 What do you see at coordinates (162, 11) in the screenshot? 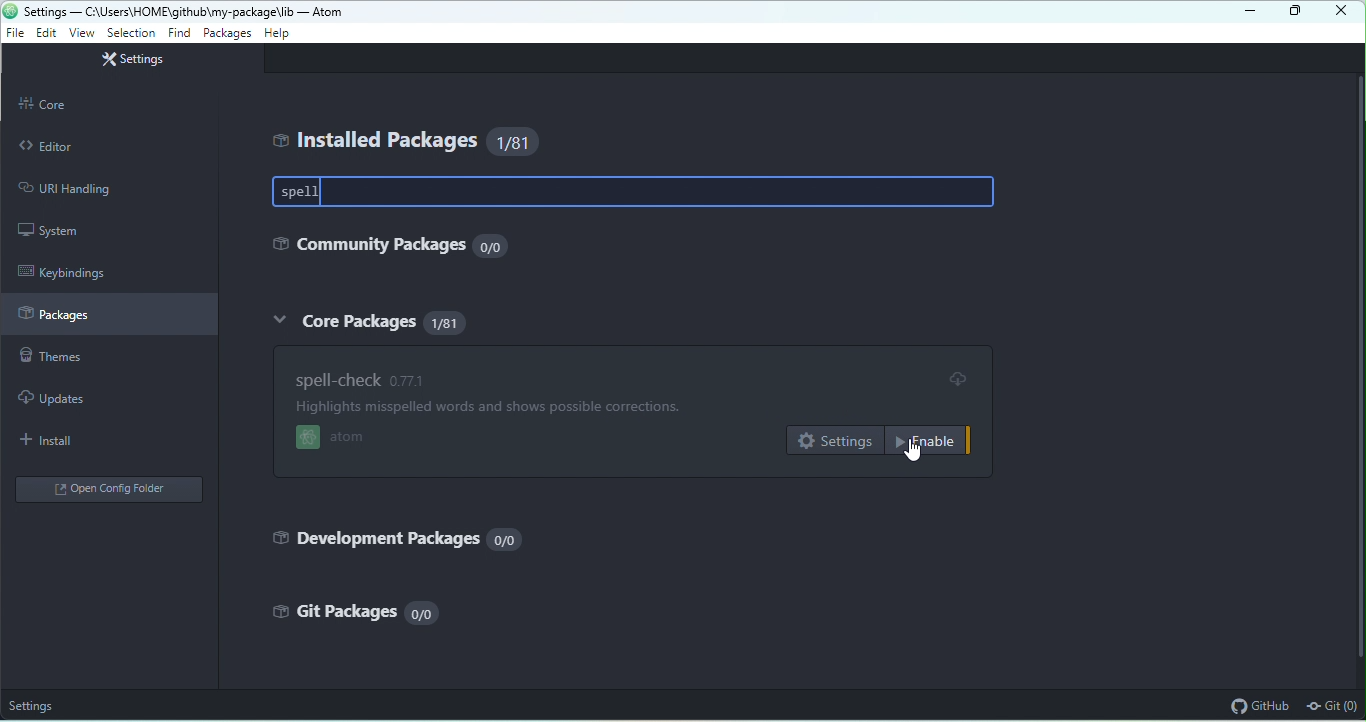
I see `settings — C:\Users\HOME\github\my-package\li` at bounding box center [162, 11].